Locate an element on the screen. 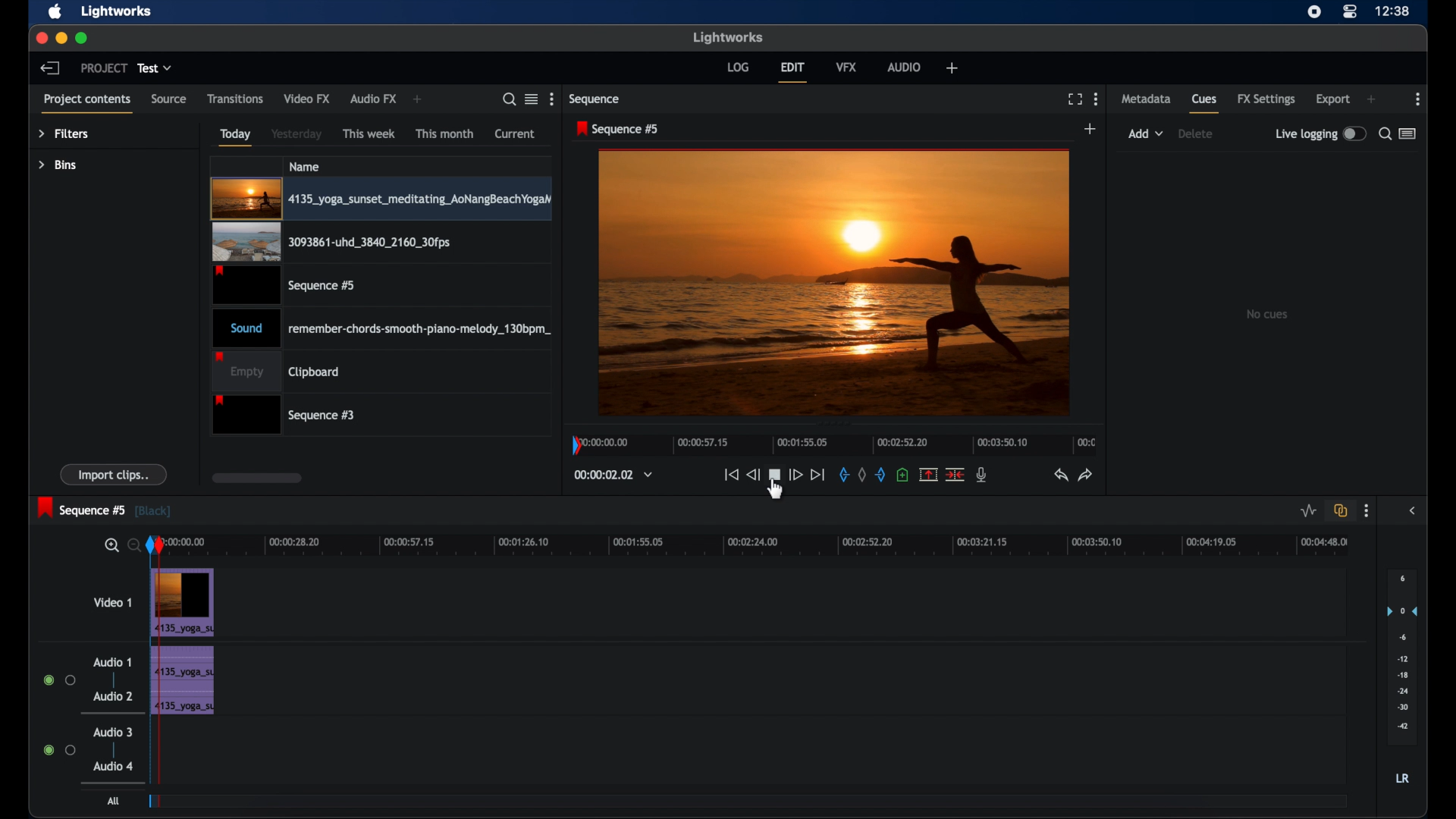  cursor is located at coordinates (775, 486).